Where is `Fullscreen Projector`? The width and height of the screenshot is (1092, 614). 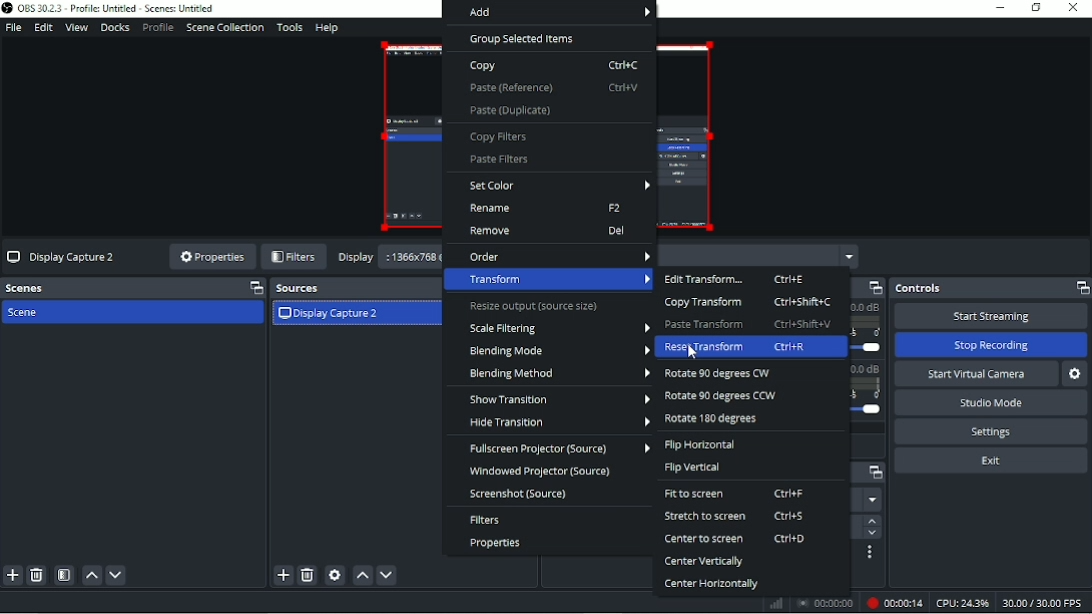 Fullscreen Projector is located at coordinates (558, 448).